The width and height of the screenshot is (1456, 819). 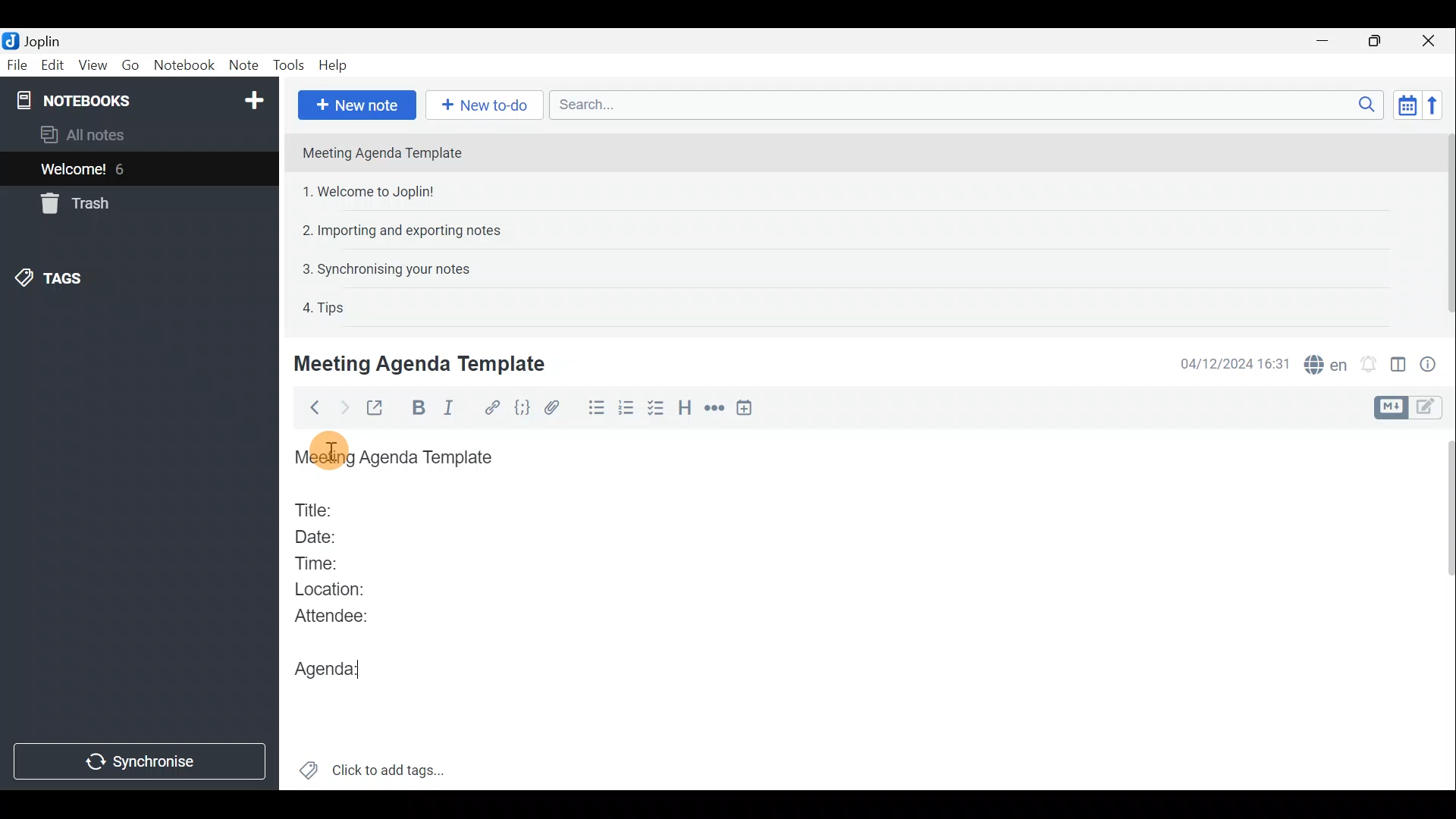 What do you see at coordinates (124, 169) in the screenshot?
I see `6` at bounding box center [124, 169].